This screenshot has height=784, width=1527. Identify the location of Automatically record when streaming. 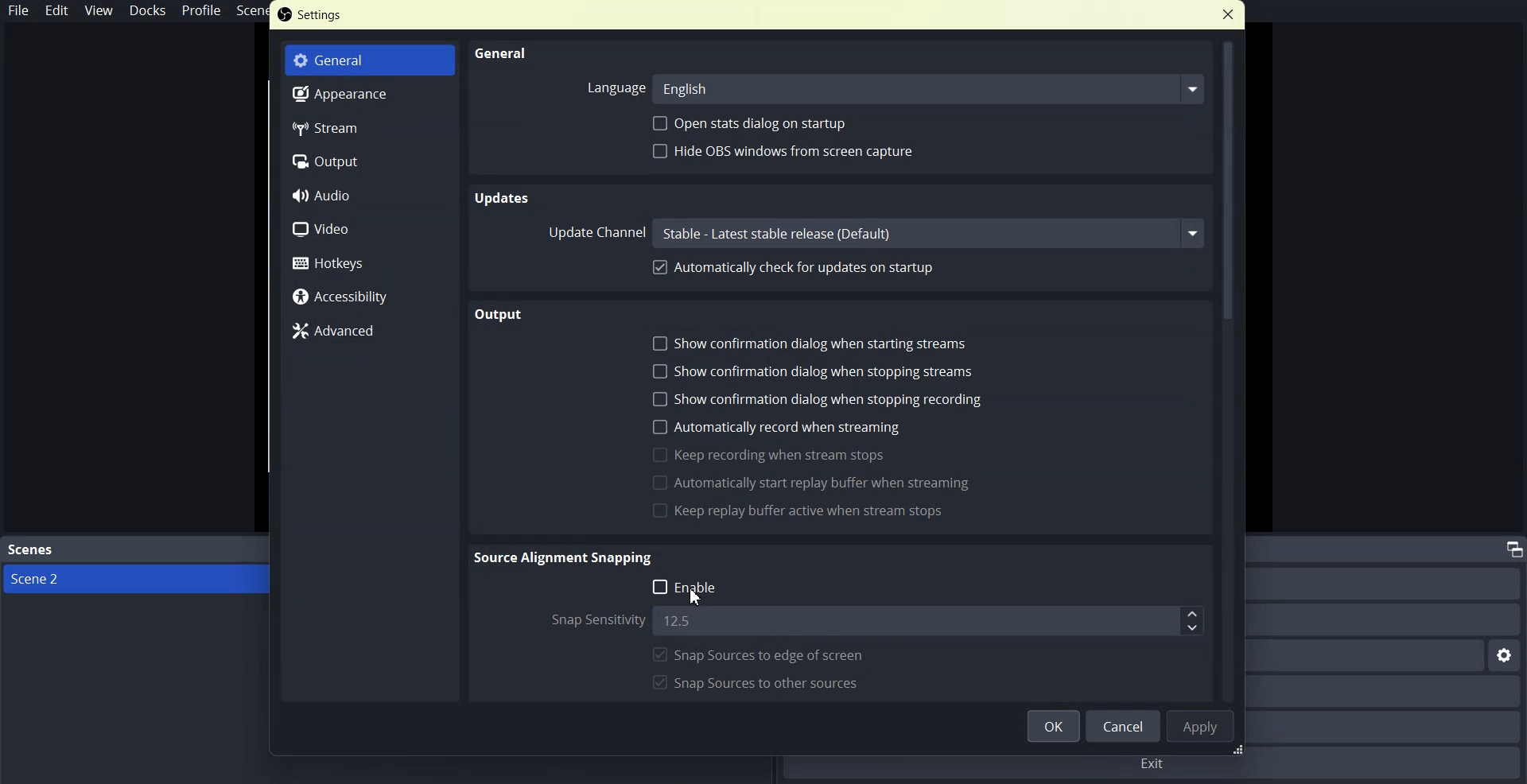
(777, 425).